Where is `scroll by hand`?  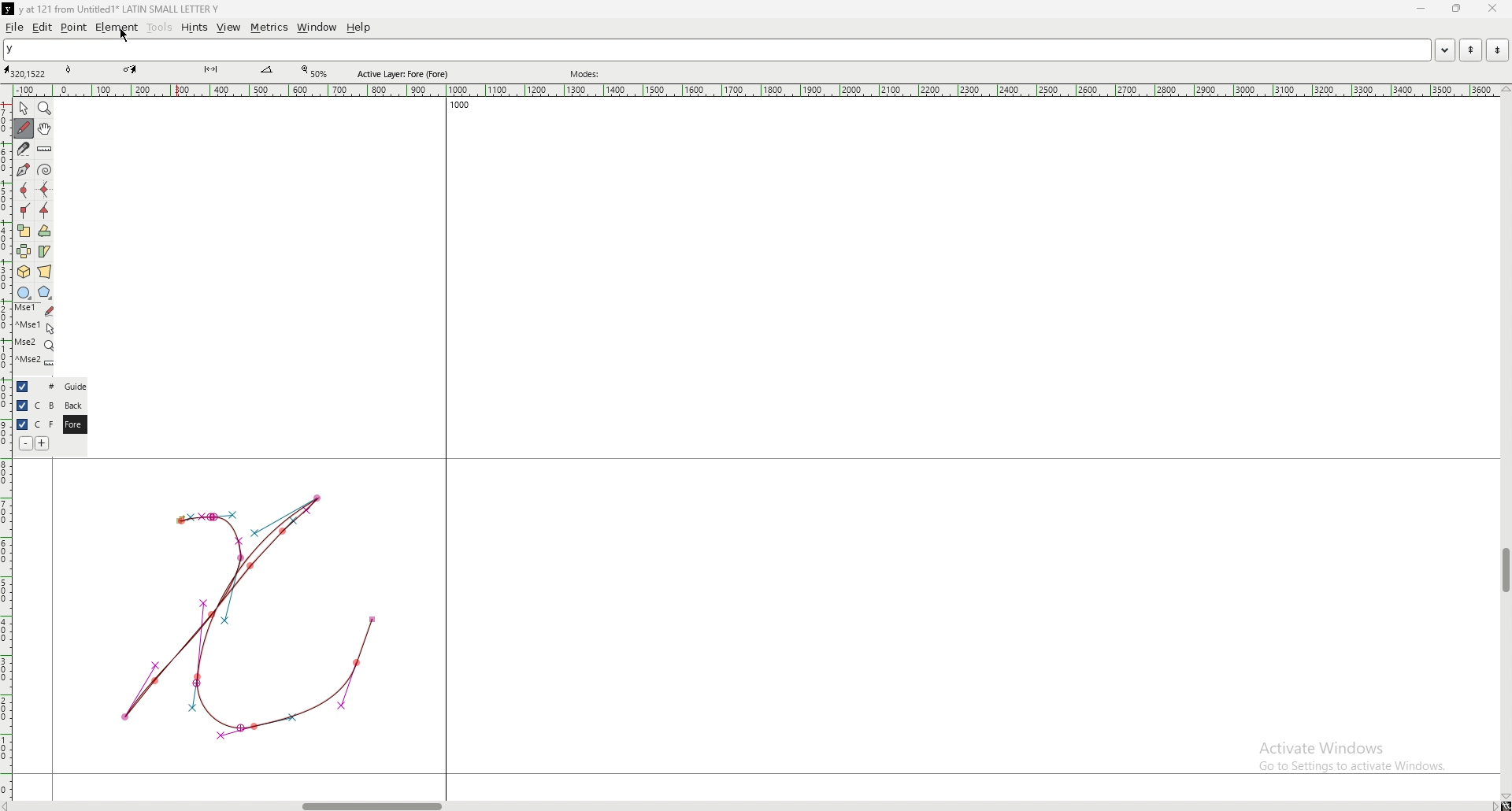 scroll by hand is located at coordinates (45, 129).